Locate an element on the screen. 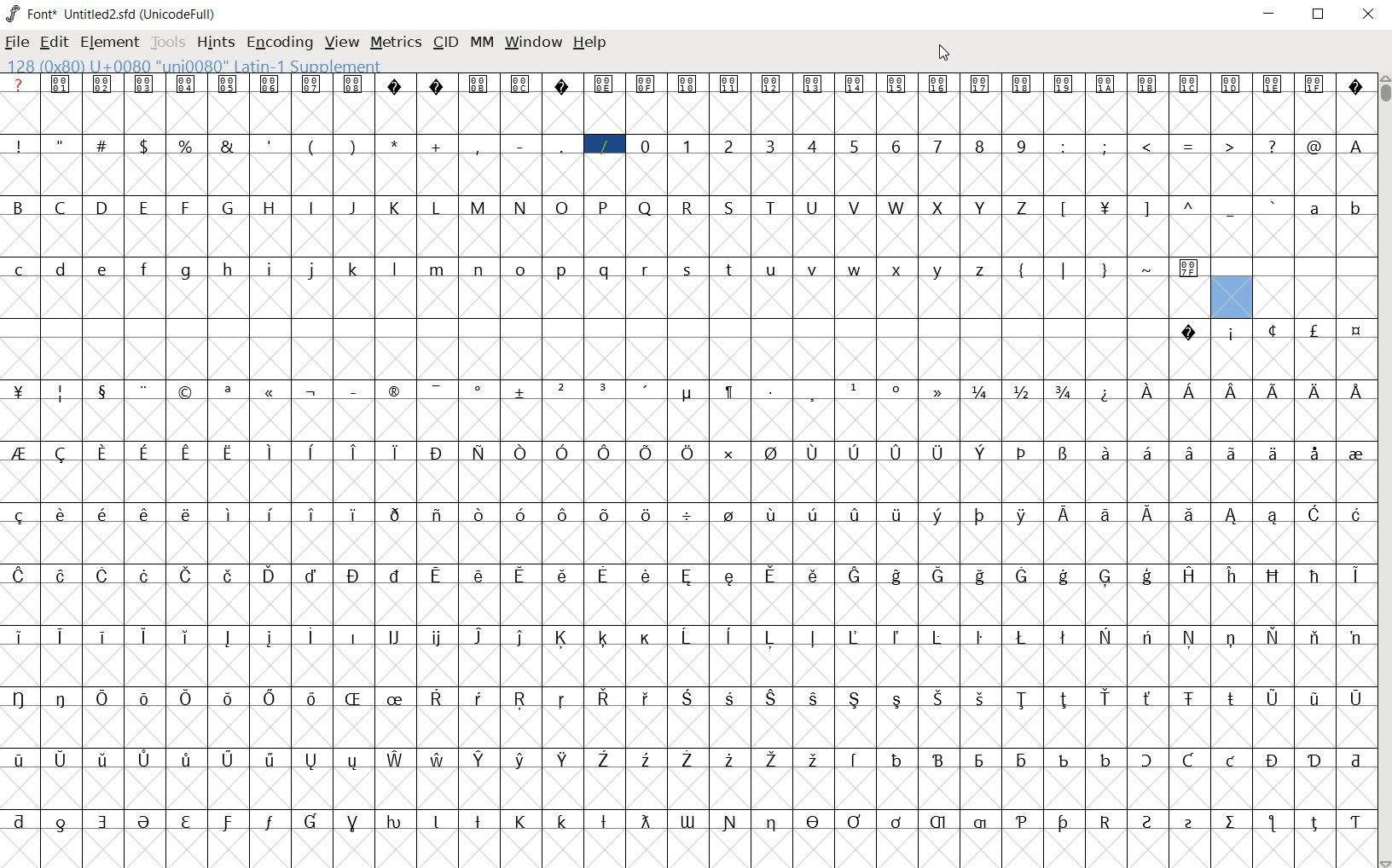 This screenshot has height=868, width=1392. glyph is located at coordinates (520, 147).